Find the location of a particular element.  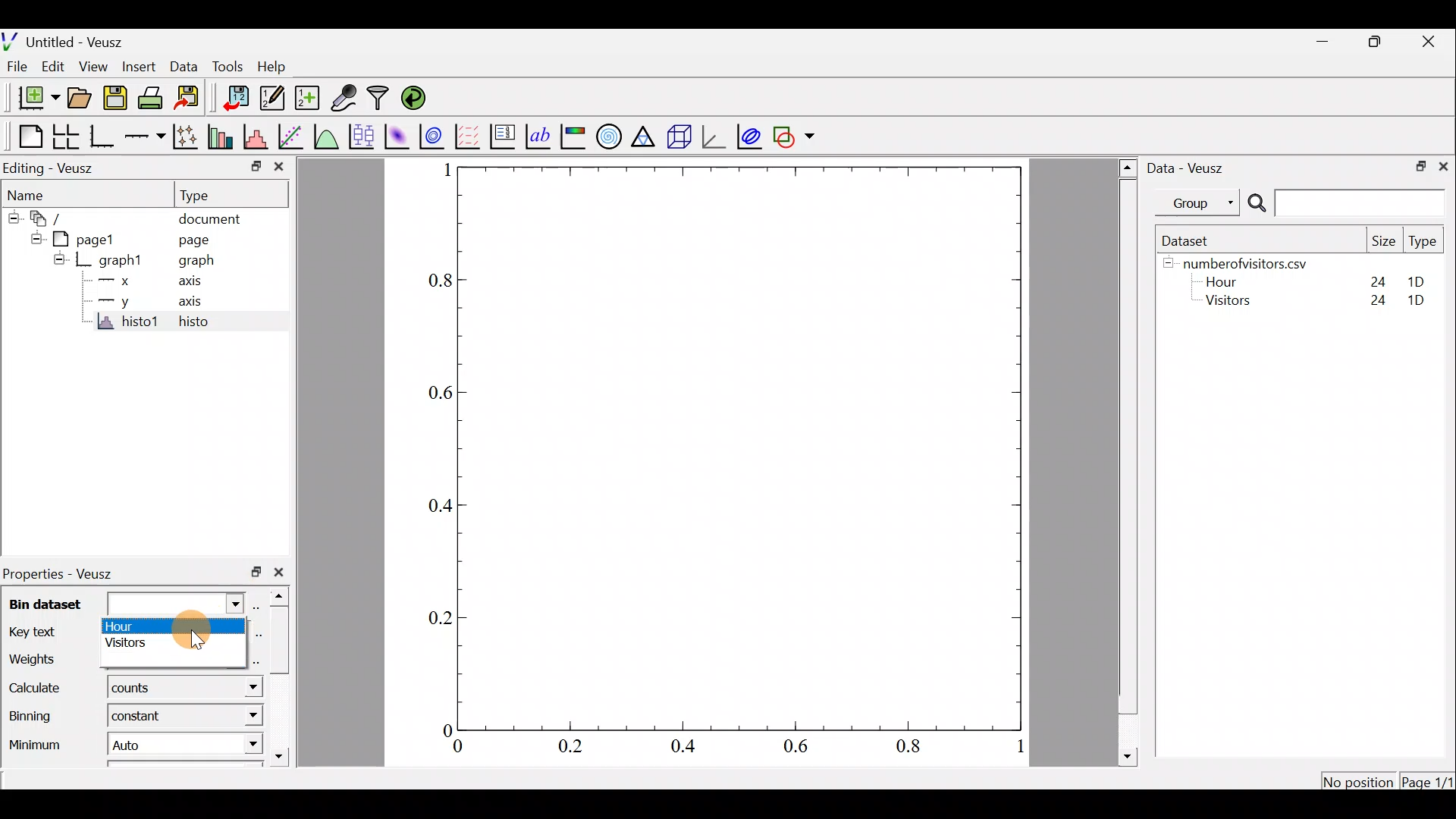

Base graph is located at coordinates (103, 137).